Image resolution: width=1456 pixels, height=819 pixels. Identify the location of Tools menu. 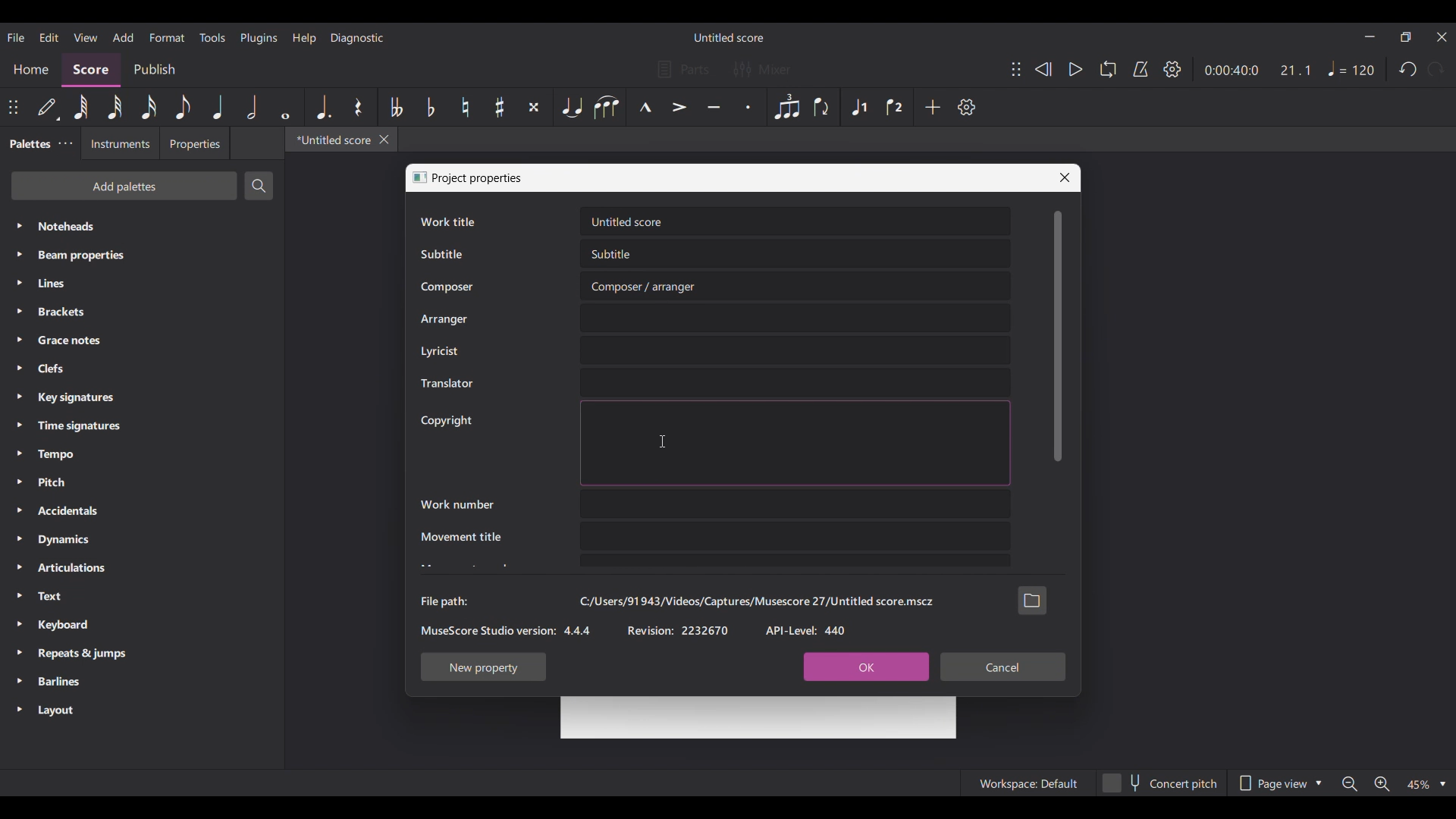
(212, 37).